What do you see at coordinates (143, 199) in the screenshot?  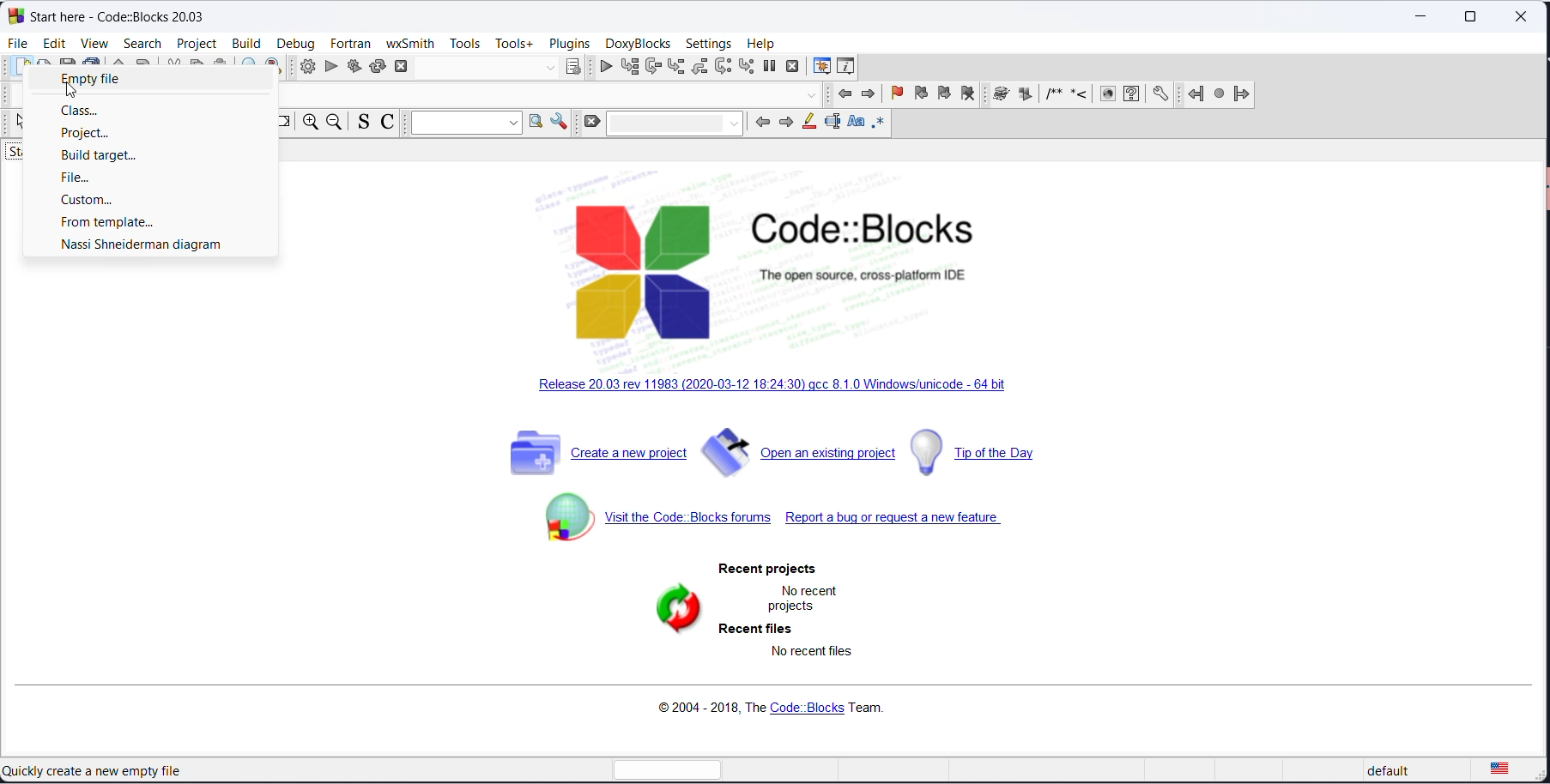 I see `custom` at bounding box center [143, 199].